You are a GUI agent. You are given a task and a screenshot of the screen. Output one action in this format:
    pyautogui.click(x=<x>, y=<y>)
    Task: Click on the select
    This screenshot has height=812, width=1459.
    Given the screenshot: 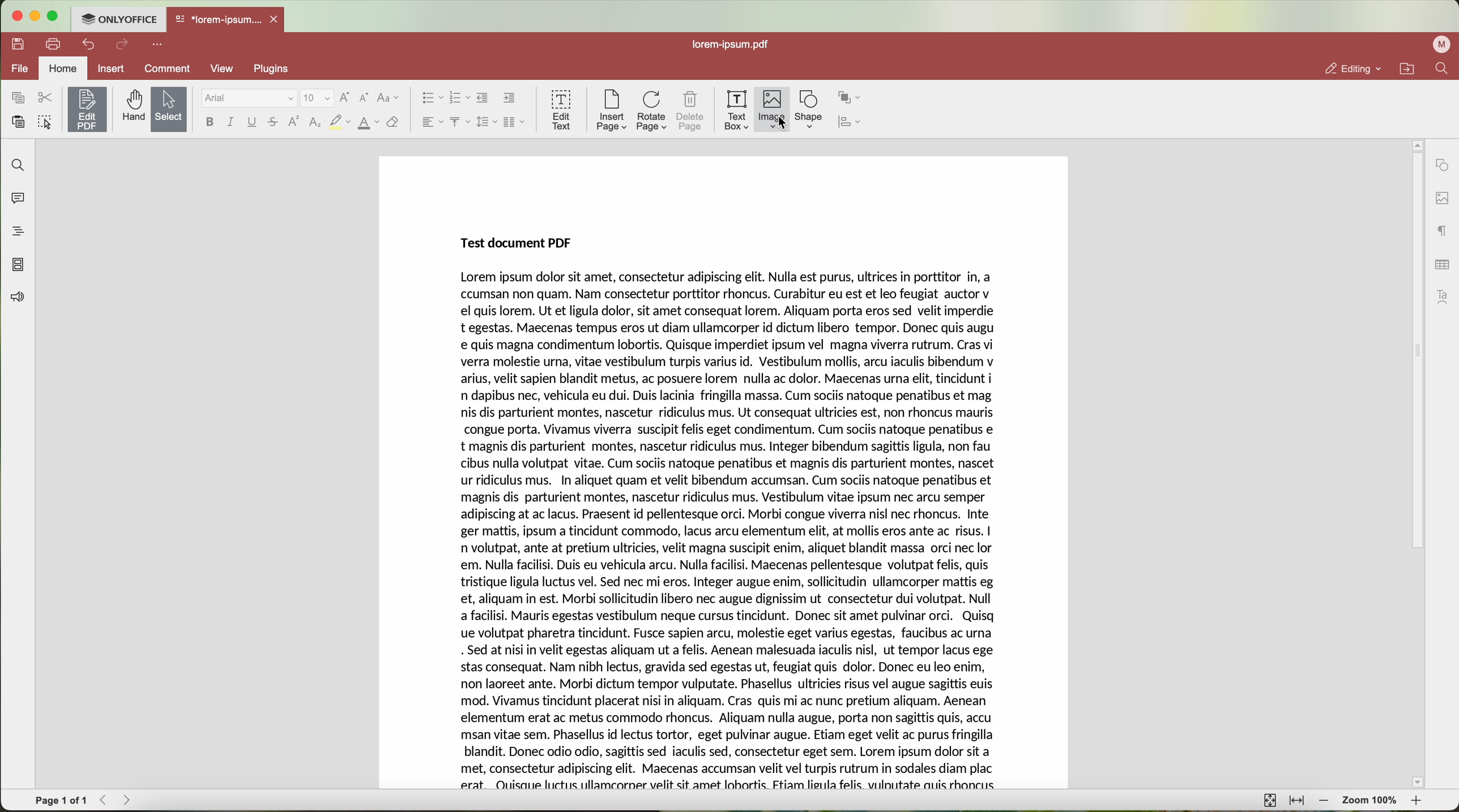 What is the action you would take?
    pyautogui.click(x=169, y=110)
    